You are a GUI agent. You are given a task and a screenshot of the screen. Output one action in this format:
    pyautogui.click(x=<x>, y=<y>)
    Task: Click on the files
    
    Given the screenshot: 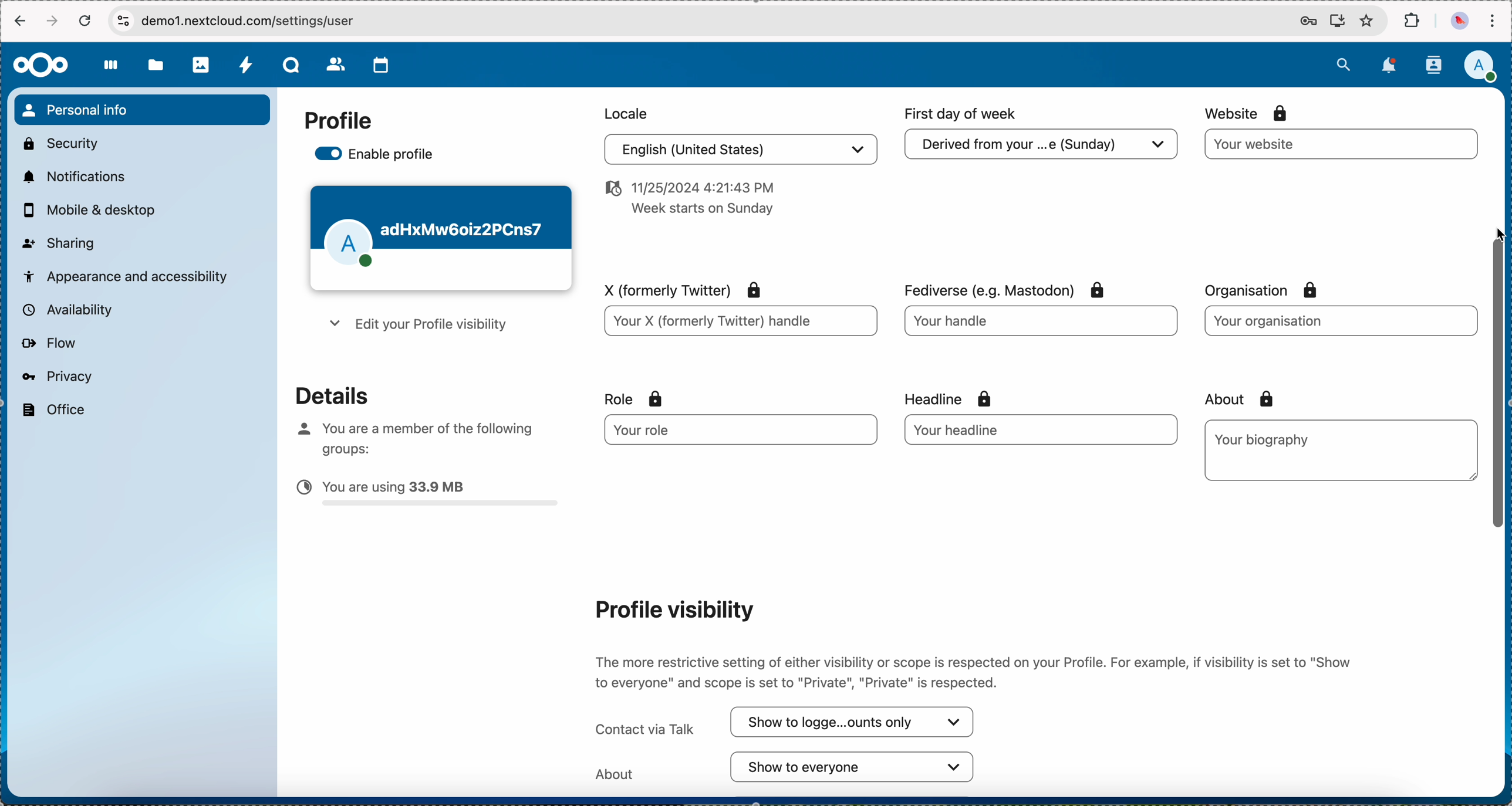 What is the action you would take?
    pyautogui.click(x=156, y=67)
    